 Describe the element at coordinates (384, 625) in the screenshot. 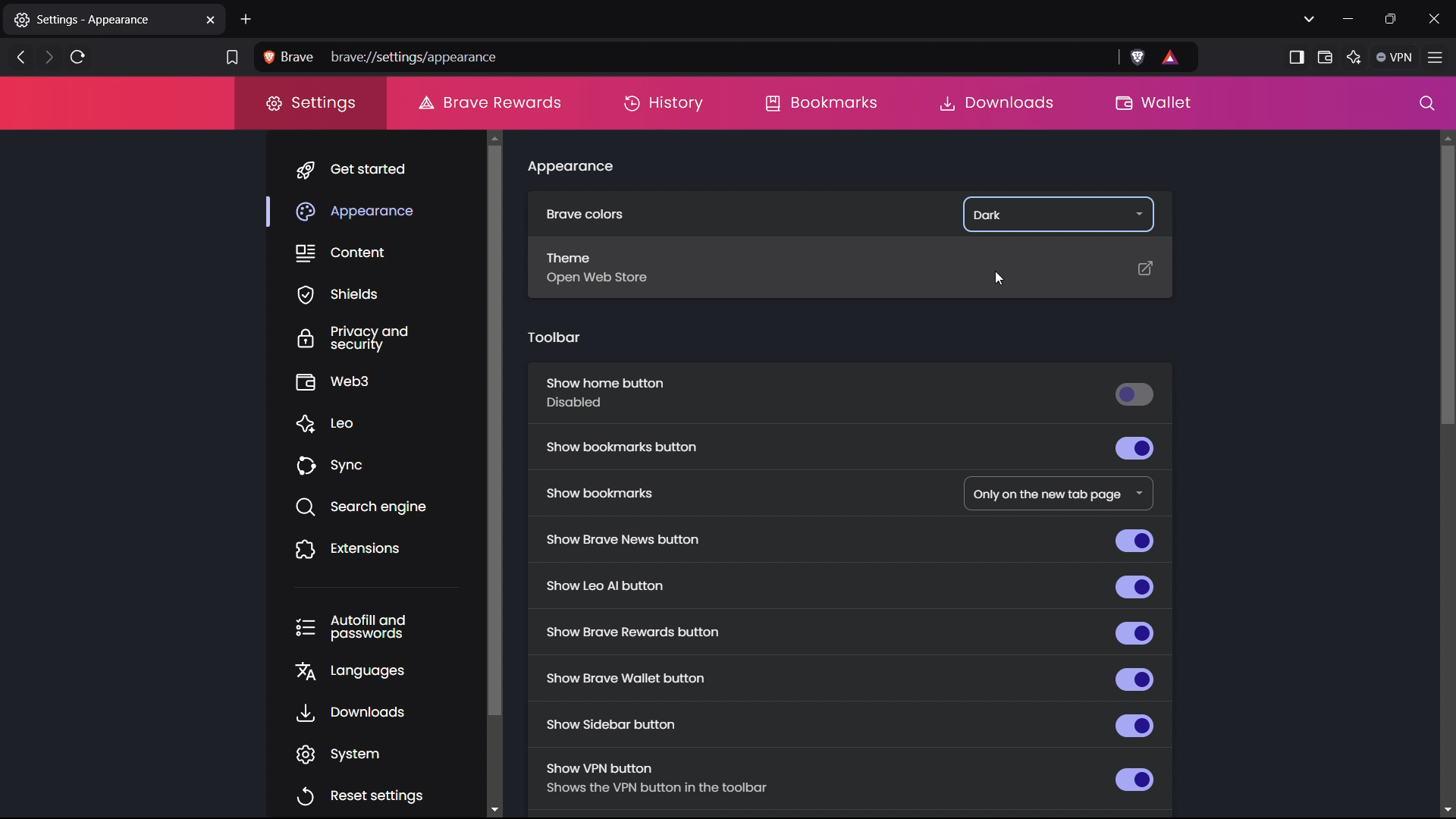

I see `autofill and passwords` at that location.